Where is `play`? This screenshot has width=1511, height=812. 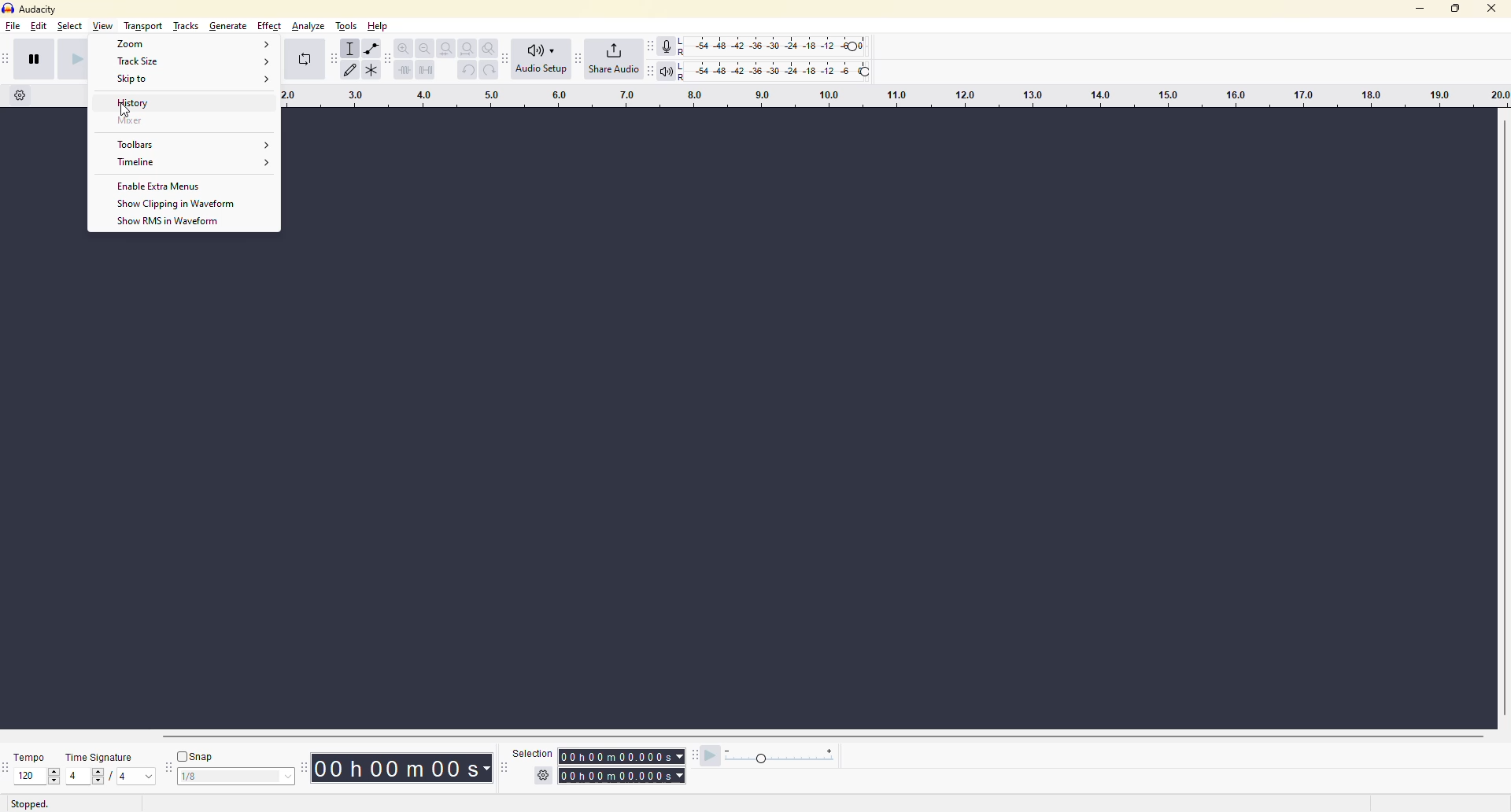
play is located at coordinates (74, 58).